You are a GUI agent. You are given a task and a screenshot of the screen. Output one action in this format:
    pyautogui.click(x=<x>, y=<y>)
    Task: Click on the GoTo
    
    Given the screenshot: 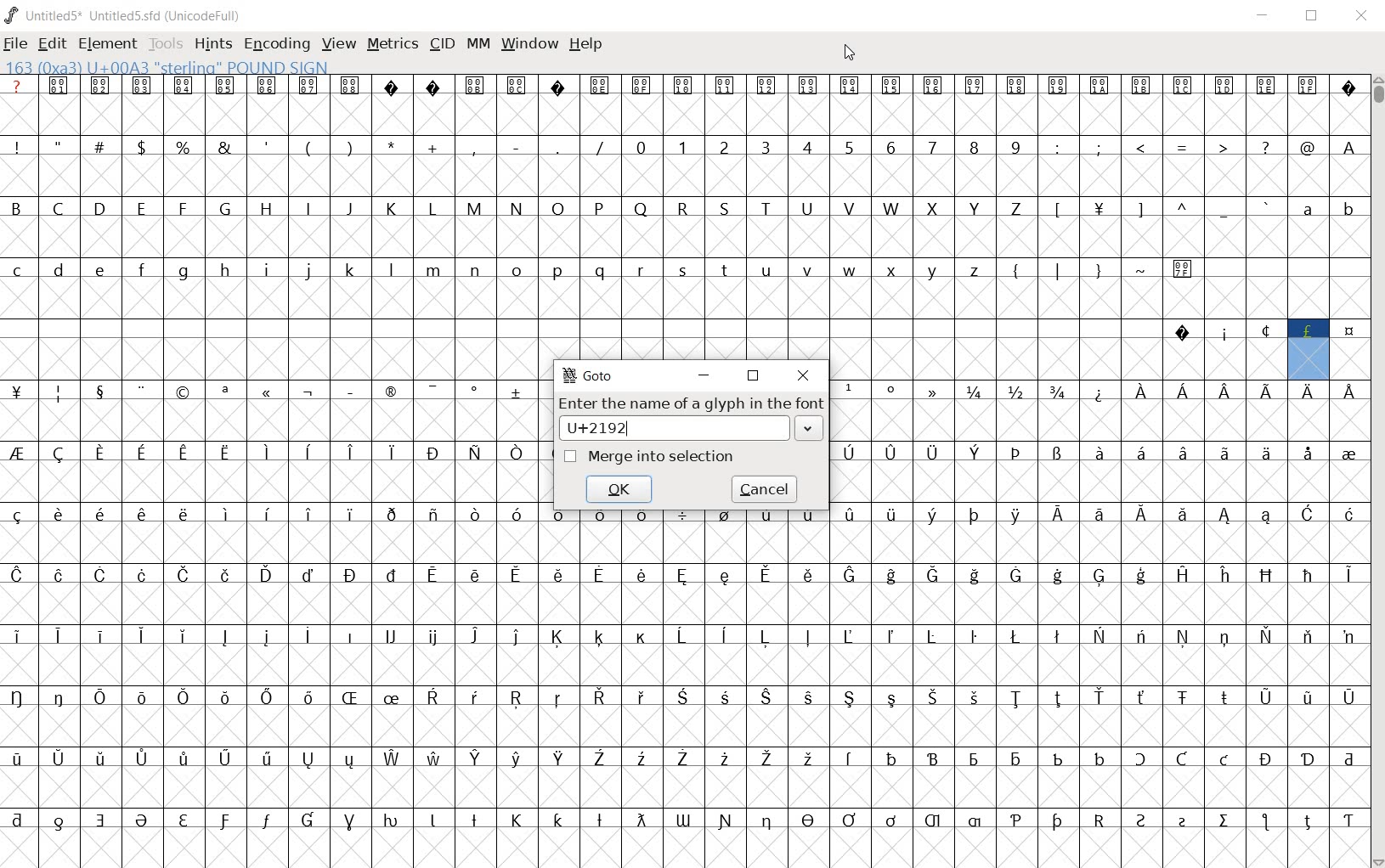 What is the action you would take?
    pyautogui.click(x=588, y=374)
    